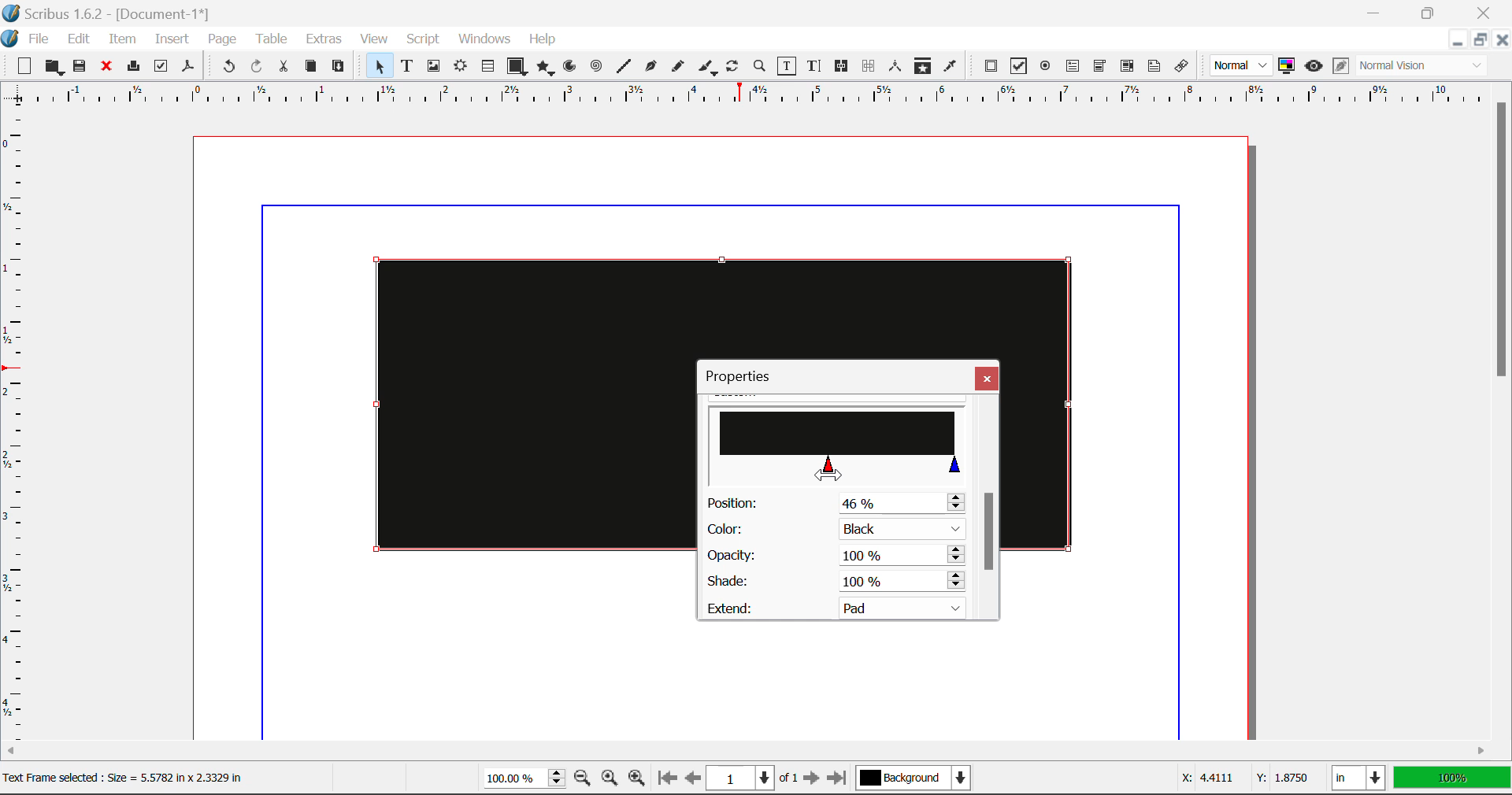 This screenshot has height=795, width=1512. I want to click on Paste, so click(339, 67).